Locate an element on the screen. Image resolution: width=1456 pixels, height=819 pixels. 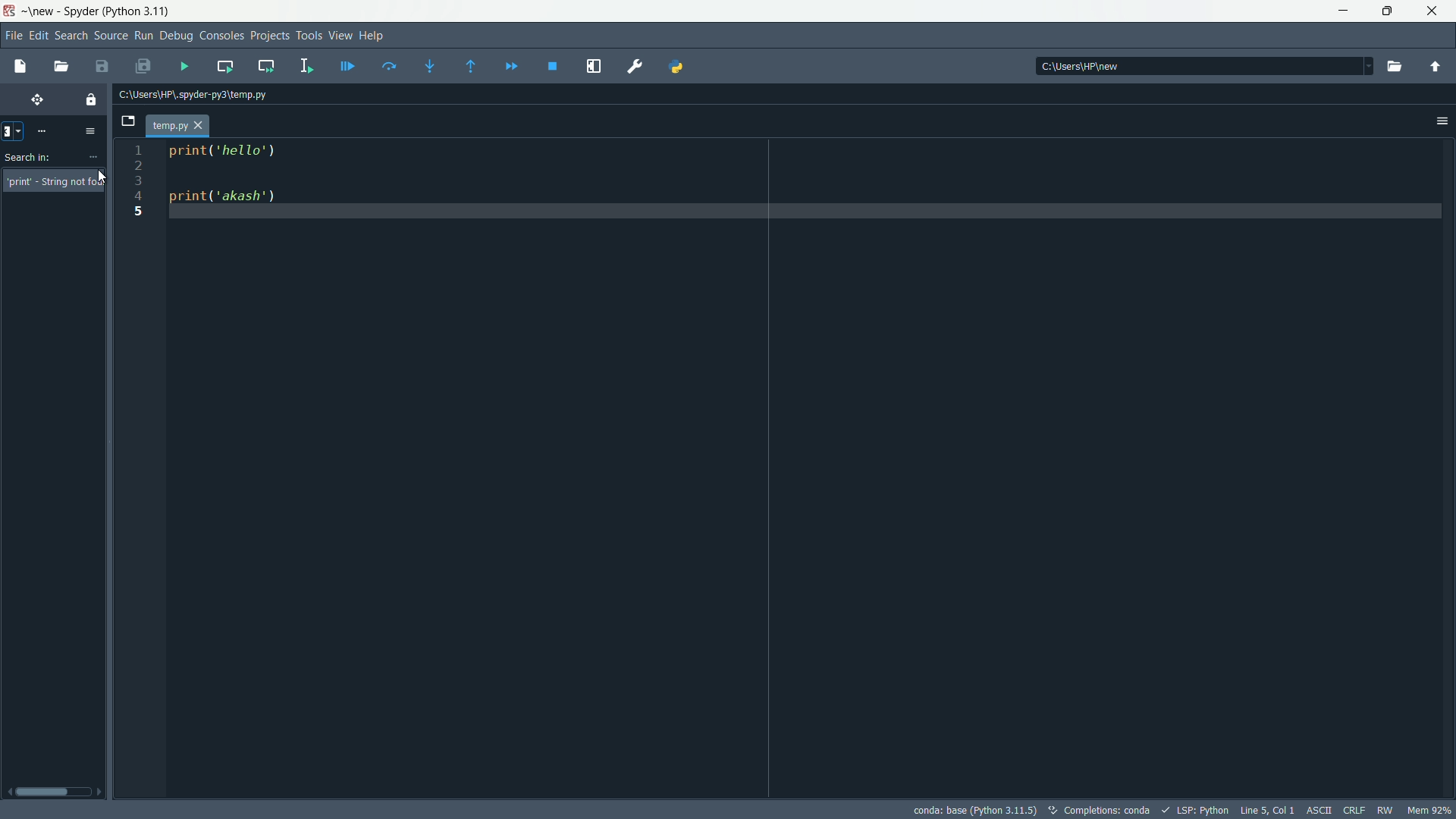
python path manager is located at coordinates (676, 65).